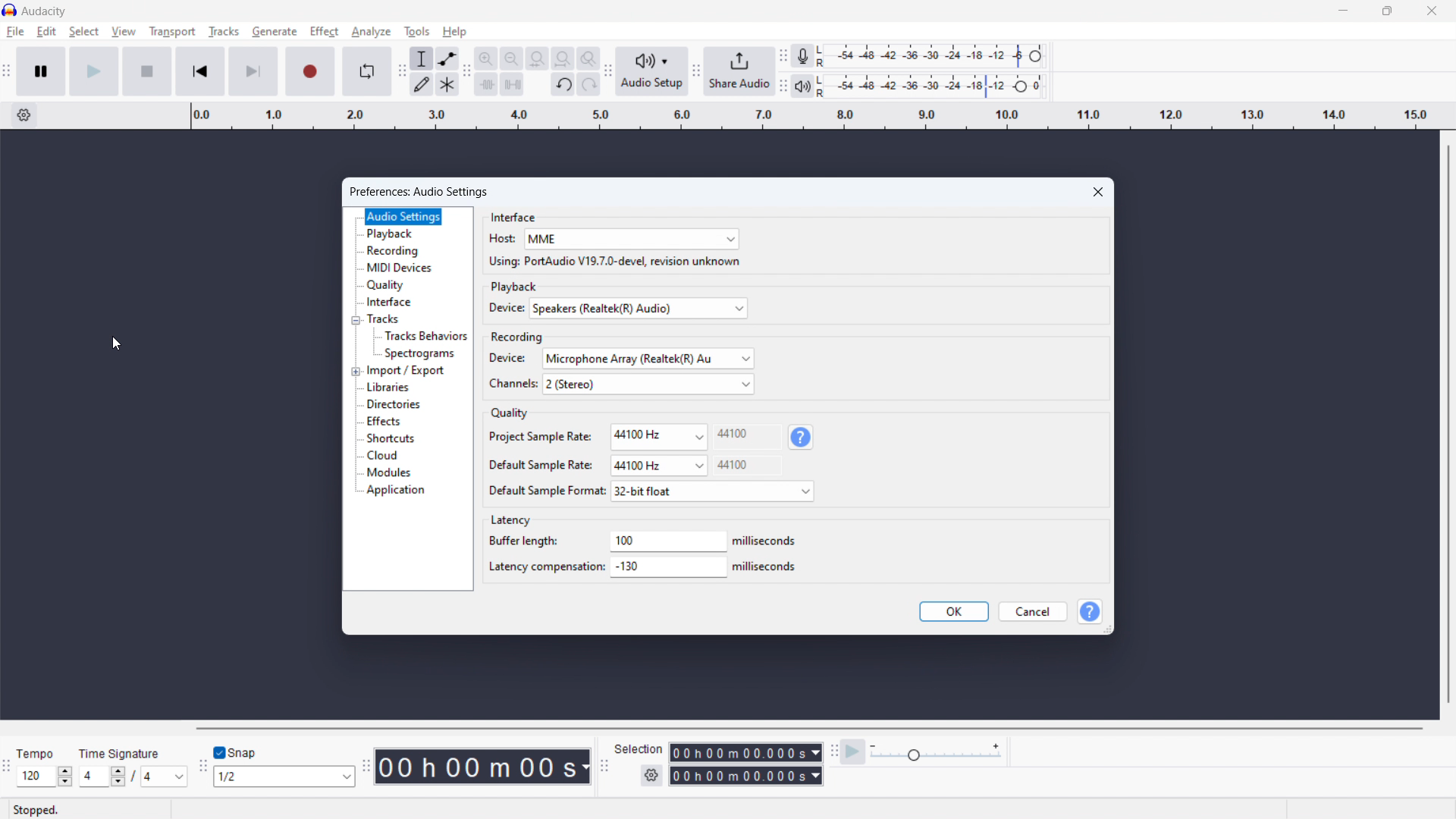 Image resolution: width=1456 pixels, height=819 pixels. I want to click on generate, so click(275, 33).